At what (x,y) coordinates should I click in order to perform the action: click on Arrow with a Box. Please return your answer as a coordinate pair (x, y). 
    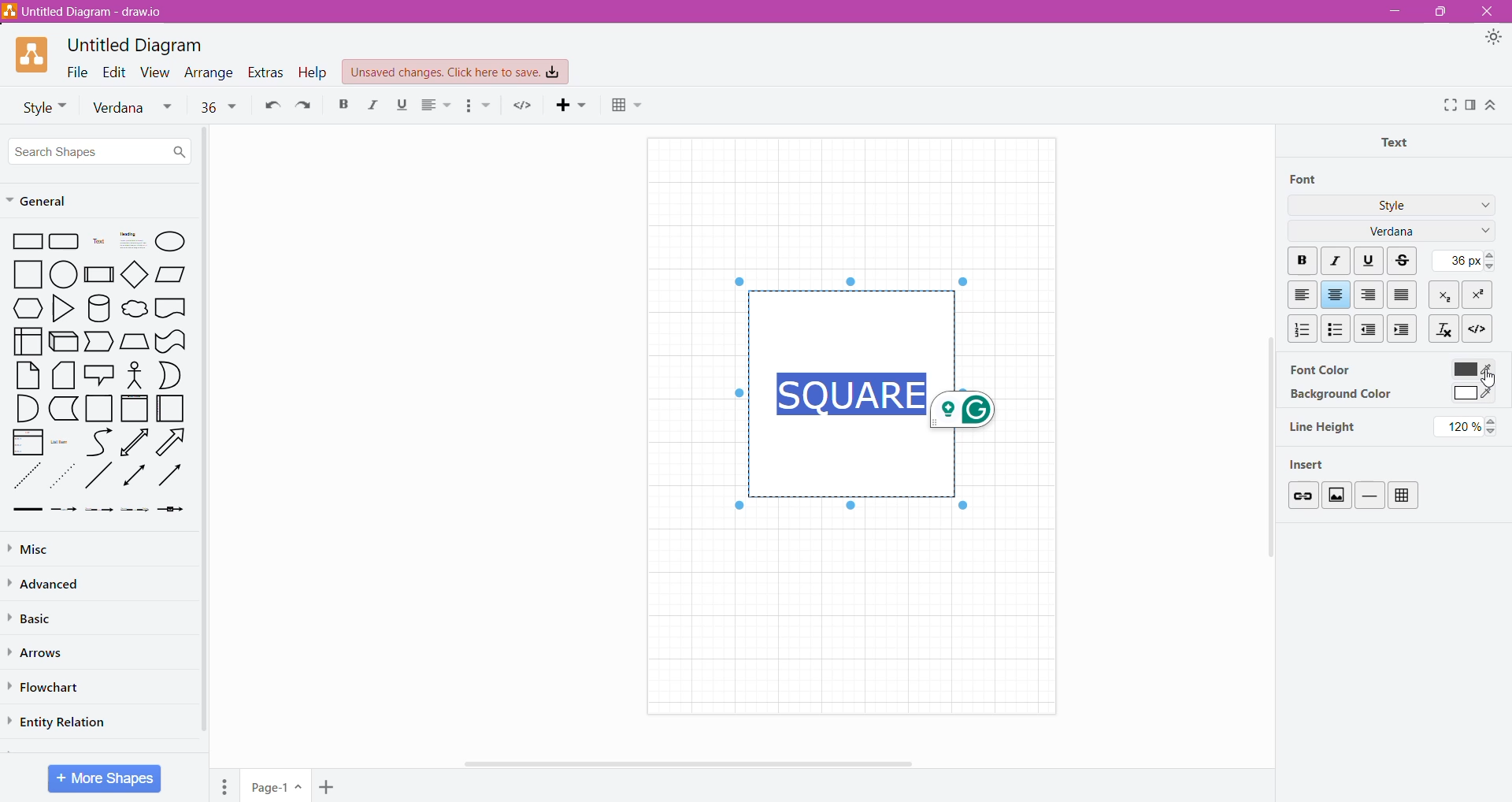
    Looking at the image, I should click on (170, 509).